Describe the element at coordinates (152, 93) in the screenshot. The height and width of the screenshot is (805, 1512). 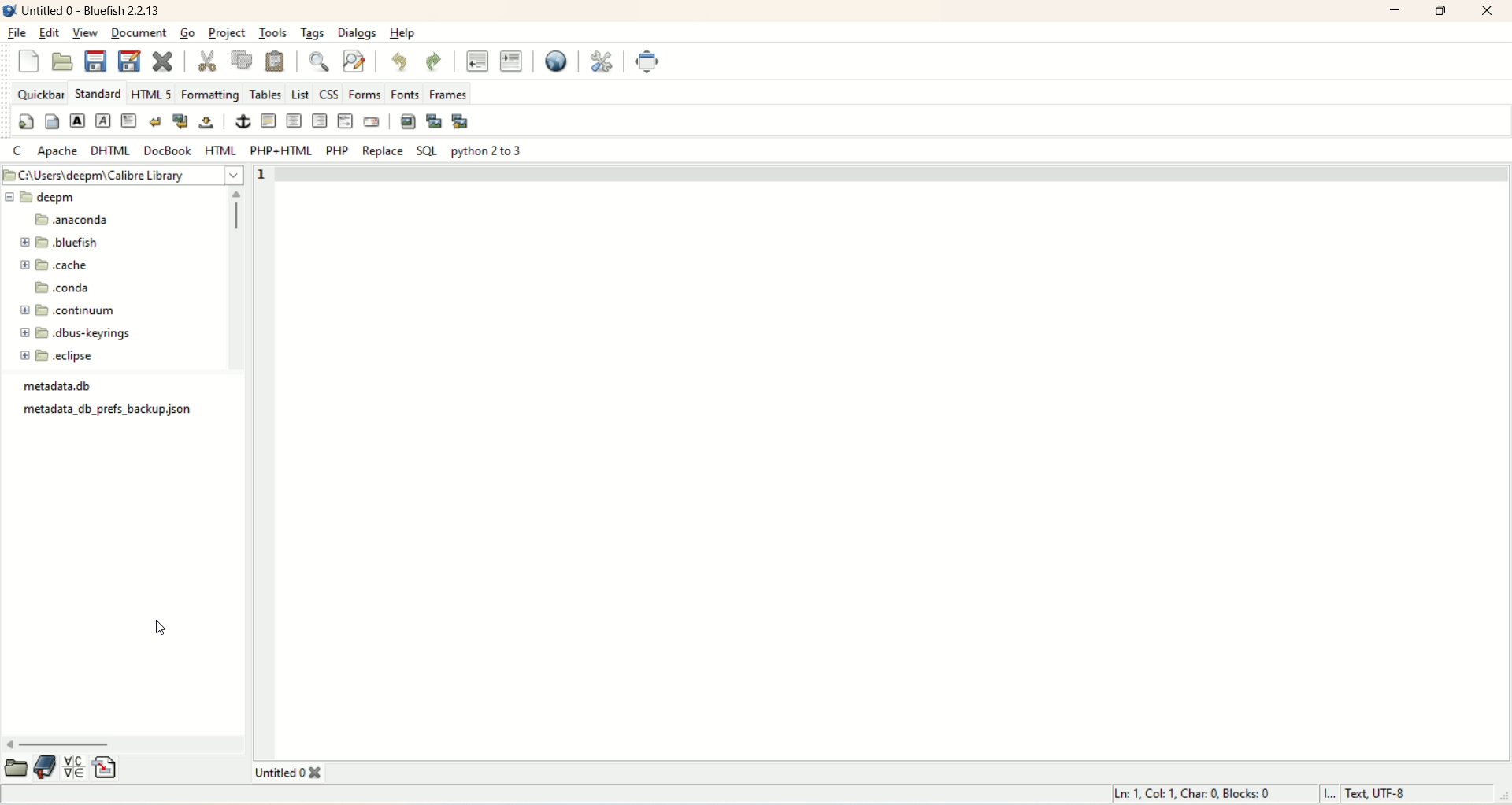
I see `HTML 5` at that location.